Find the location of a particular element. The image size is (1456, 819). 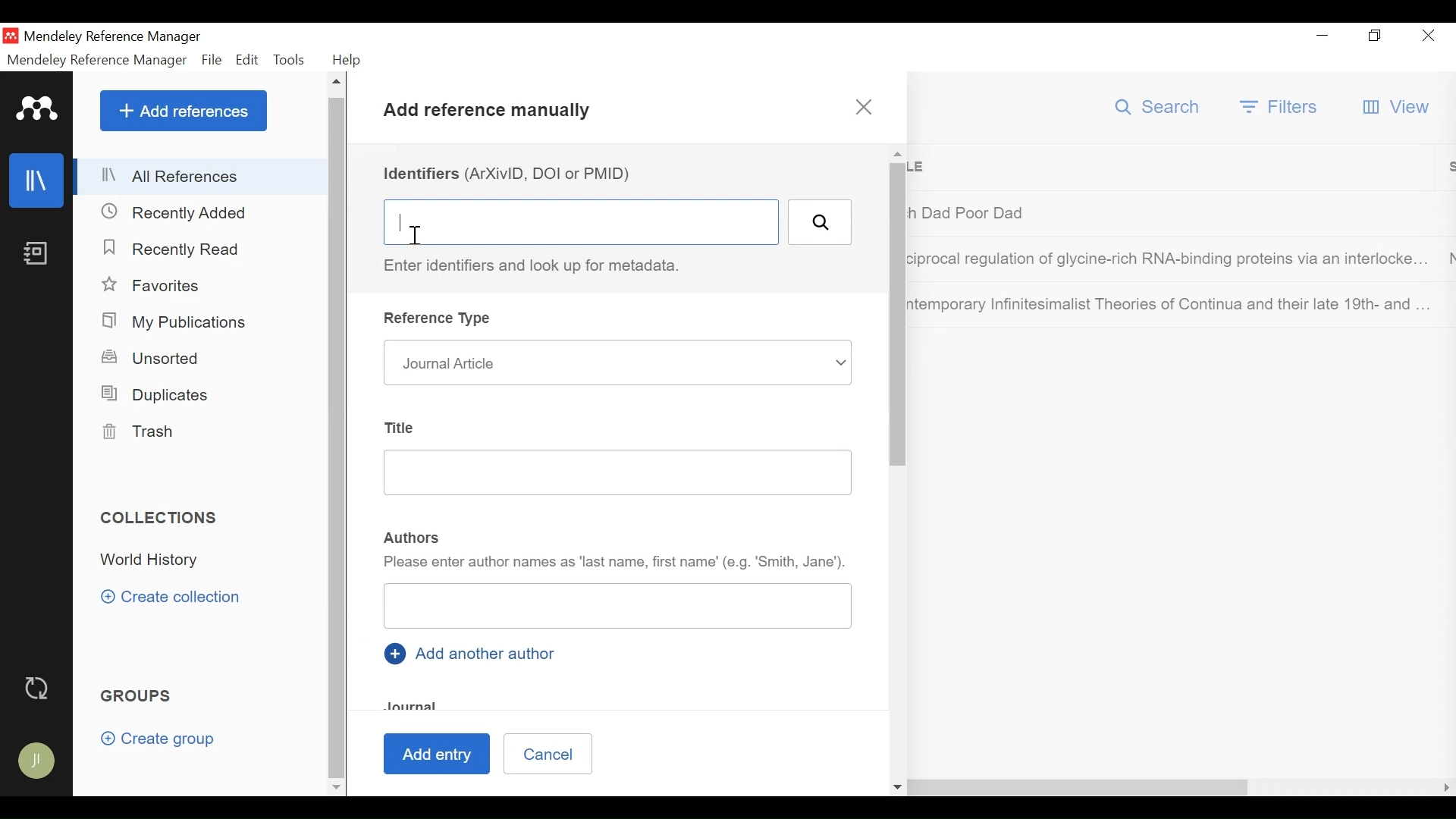

close is located at coordinates (867, 107).